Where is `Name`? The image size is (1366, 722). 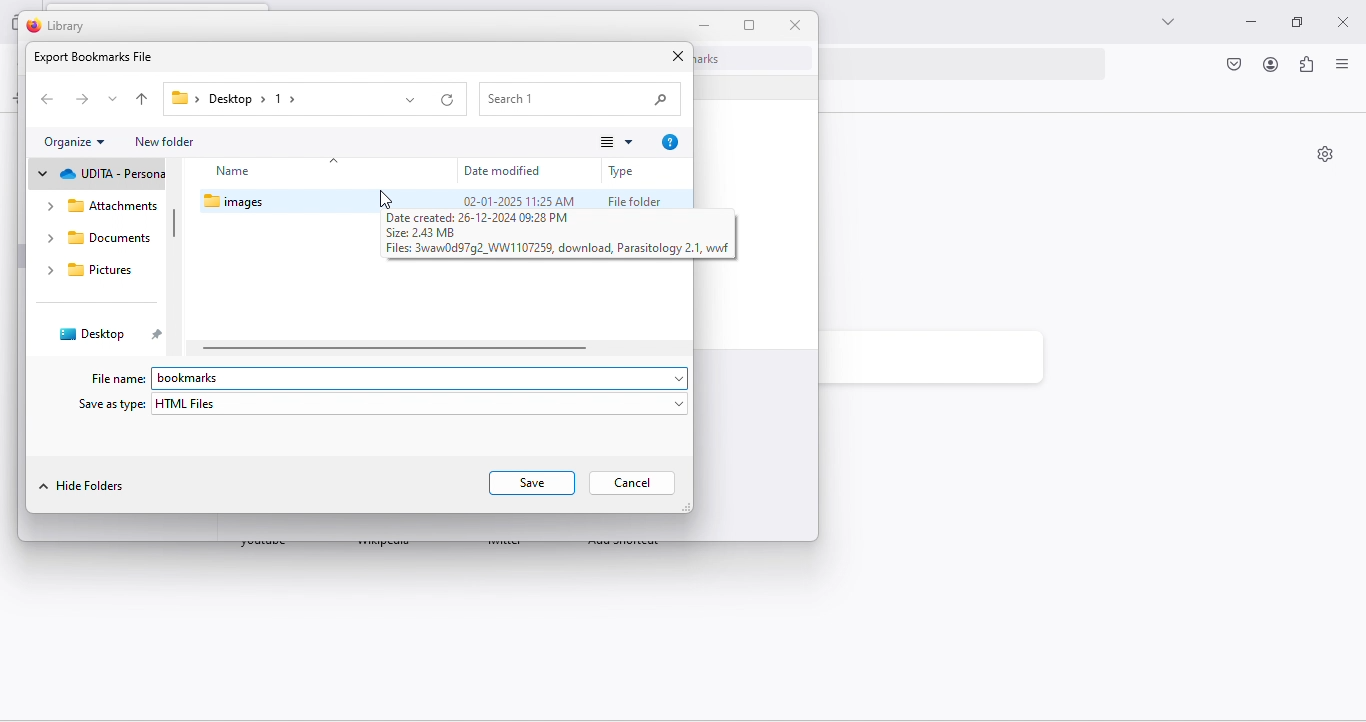
Name is located at coordinates (320, 169).